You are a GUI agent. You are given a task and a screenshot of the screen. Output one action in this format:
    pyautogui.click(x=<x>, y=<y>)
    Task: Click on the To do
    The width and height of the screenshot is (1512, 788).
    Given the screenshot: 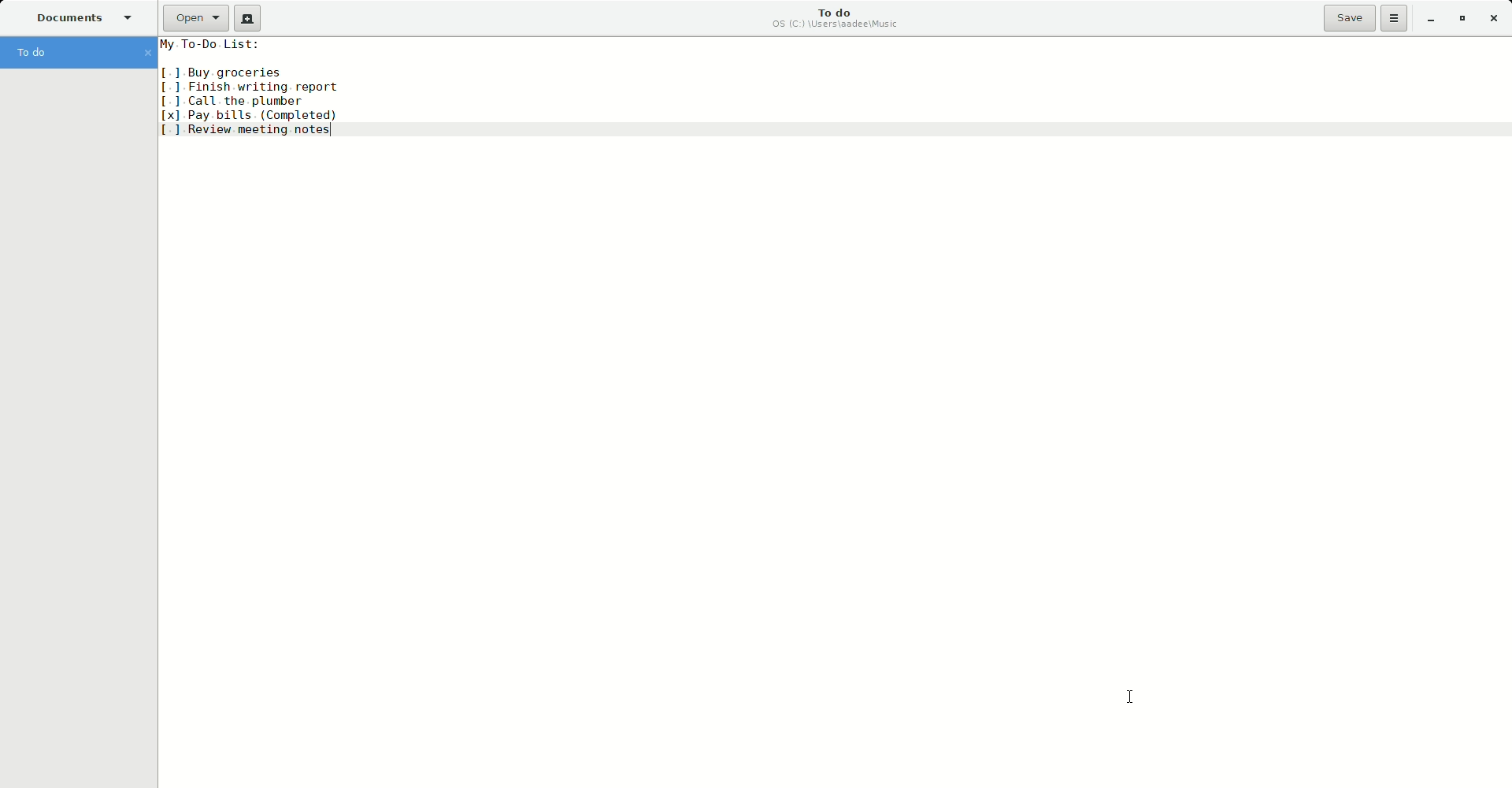 What is the action you would take?
    pyautogui.click(x=837, y=20)
    